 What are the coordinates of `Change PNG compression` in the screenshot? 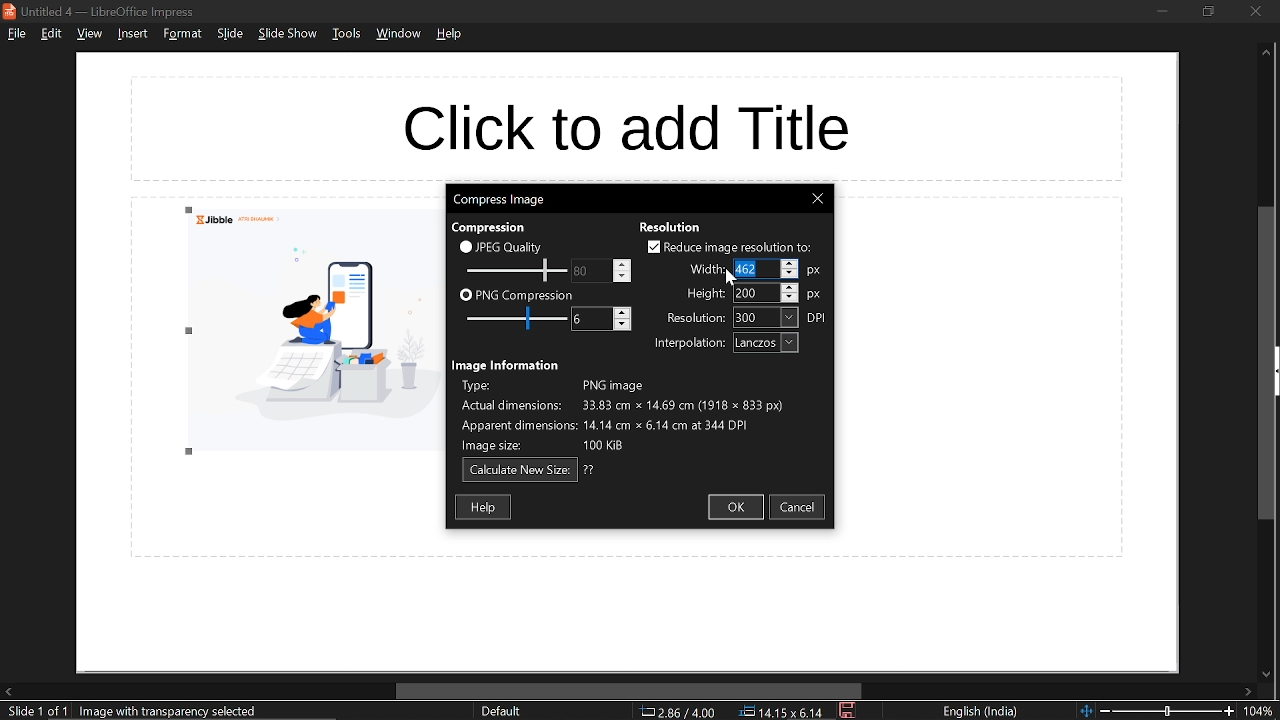 It's located at (590, 319).